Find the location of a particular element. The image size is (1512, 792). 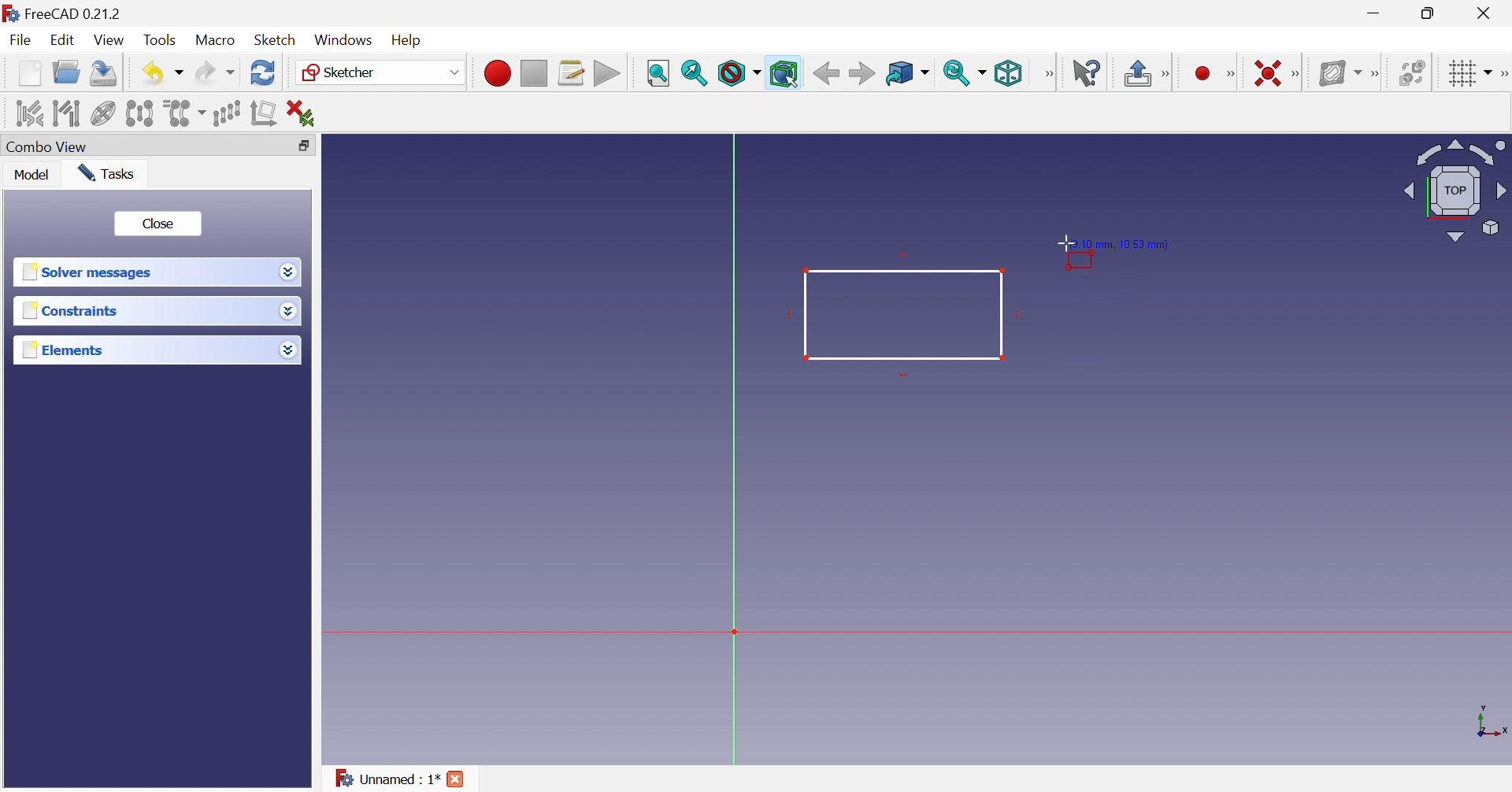

Save is located at coordinates (105, 74).